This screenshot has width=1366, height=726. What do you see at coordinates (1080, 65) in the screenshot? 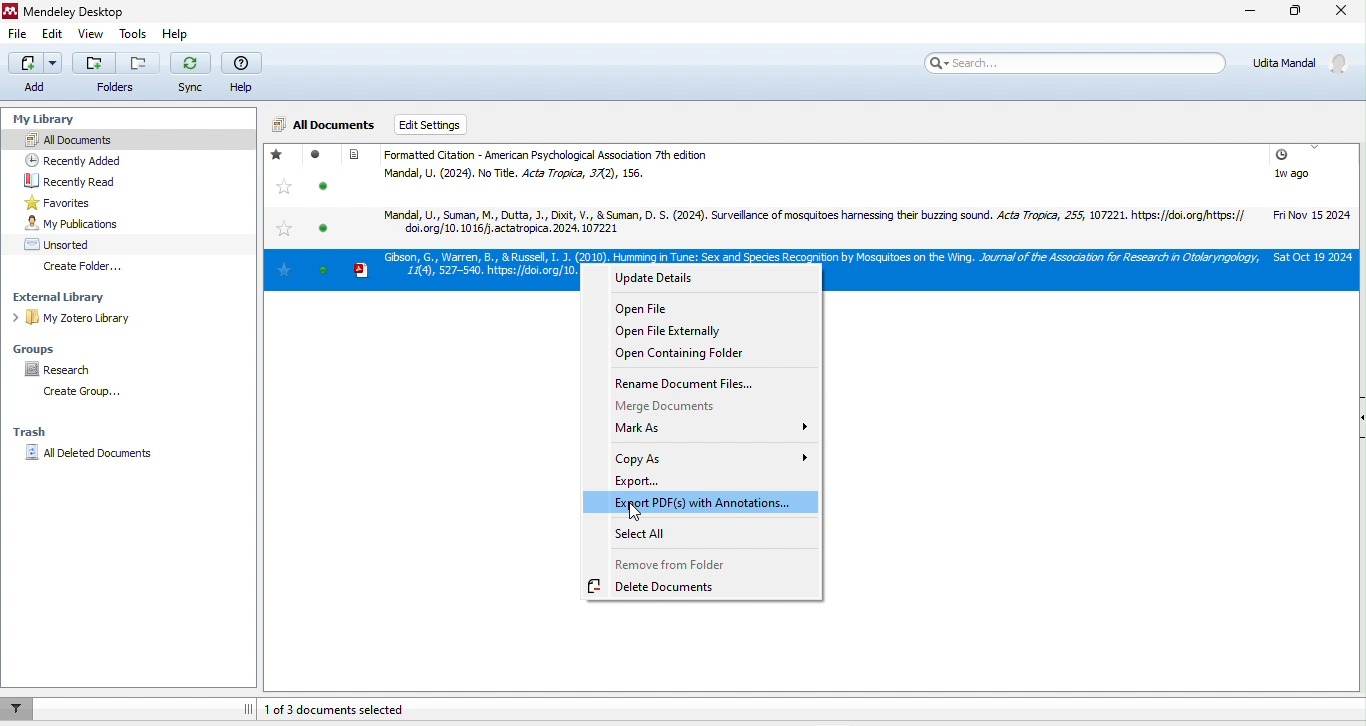
I see `search bar` at bounding box center [1080, 65].